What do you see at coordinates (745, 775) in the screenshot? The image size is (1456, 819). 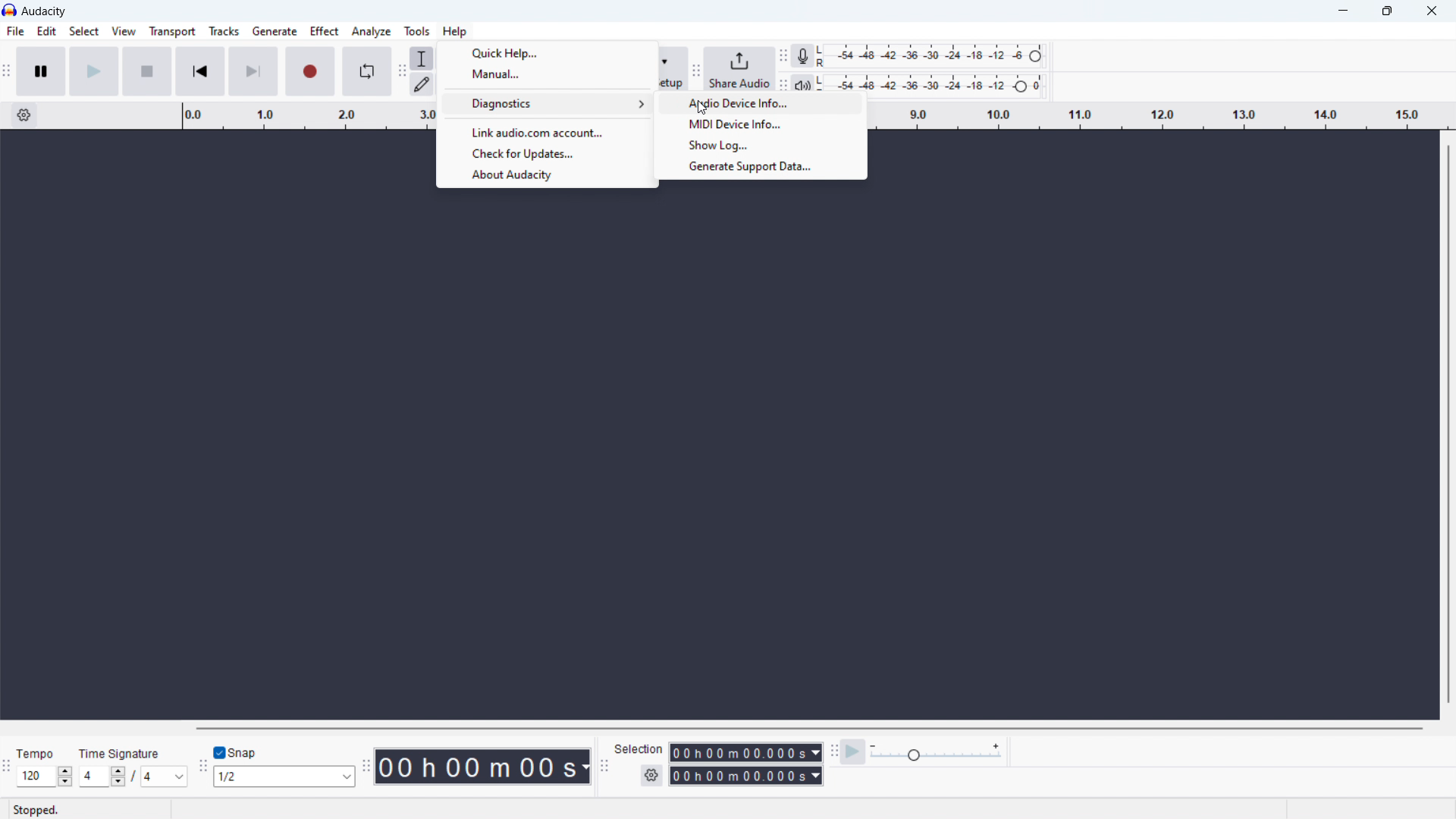 I see `end time` at bounding box center [745, 775].